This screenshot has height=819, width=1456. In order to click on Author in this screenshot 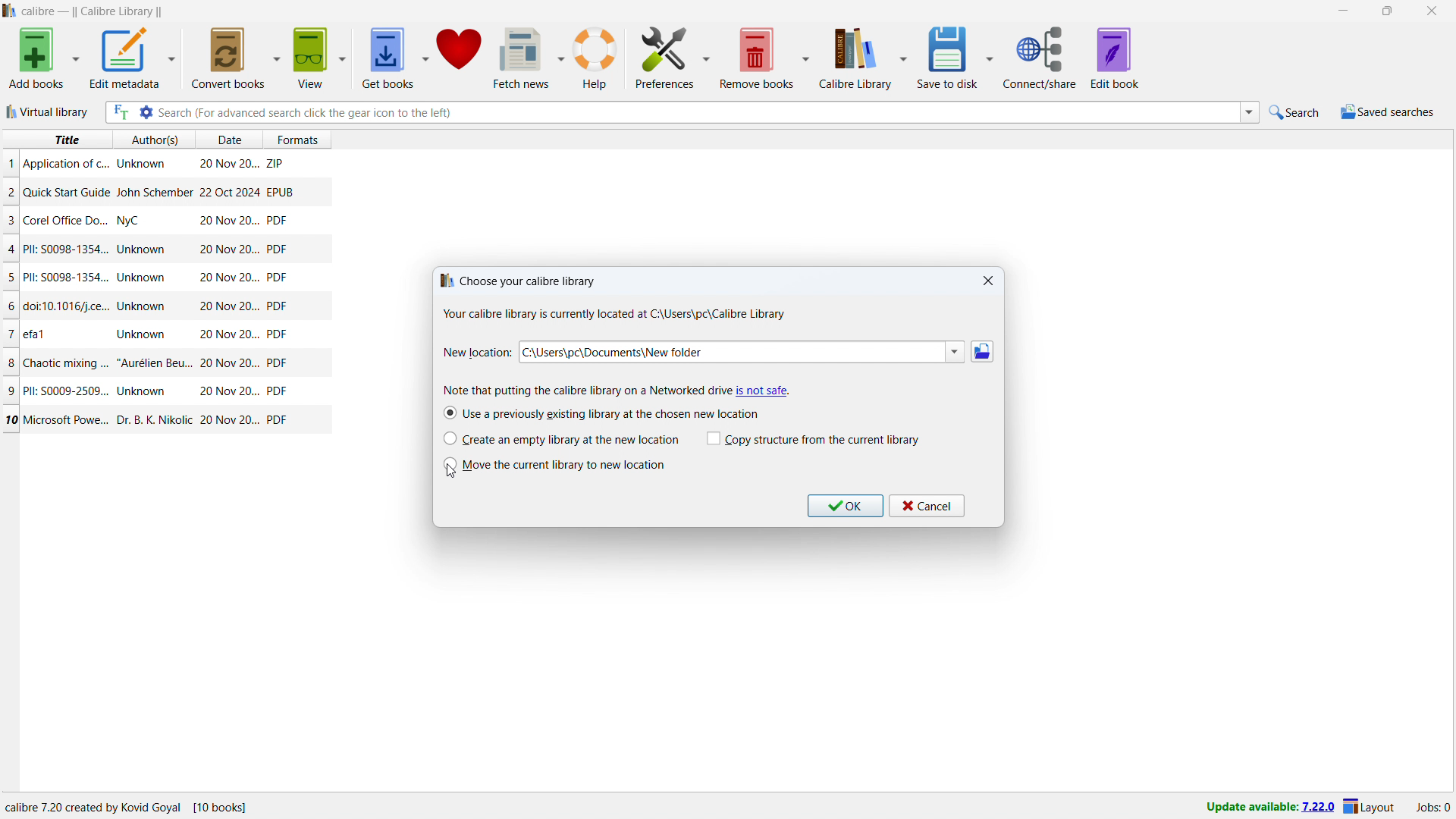, I will do `click(155, 362)`.